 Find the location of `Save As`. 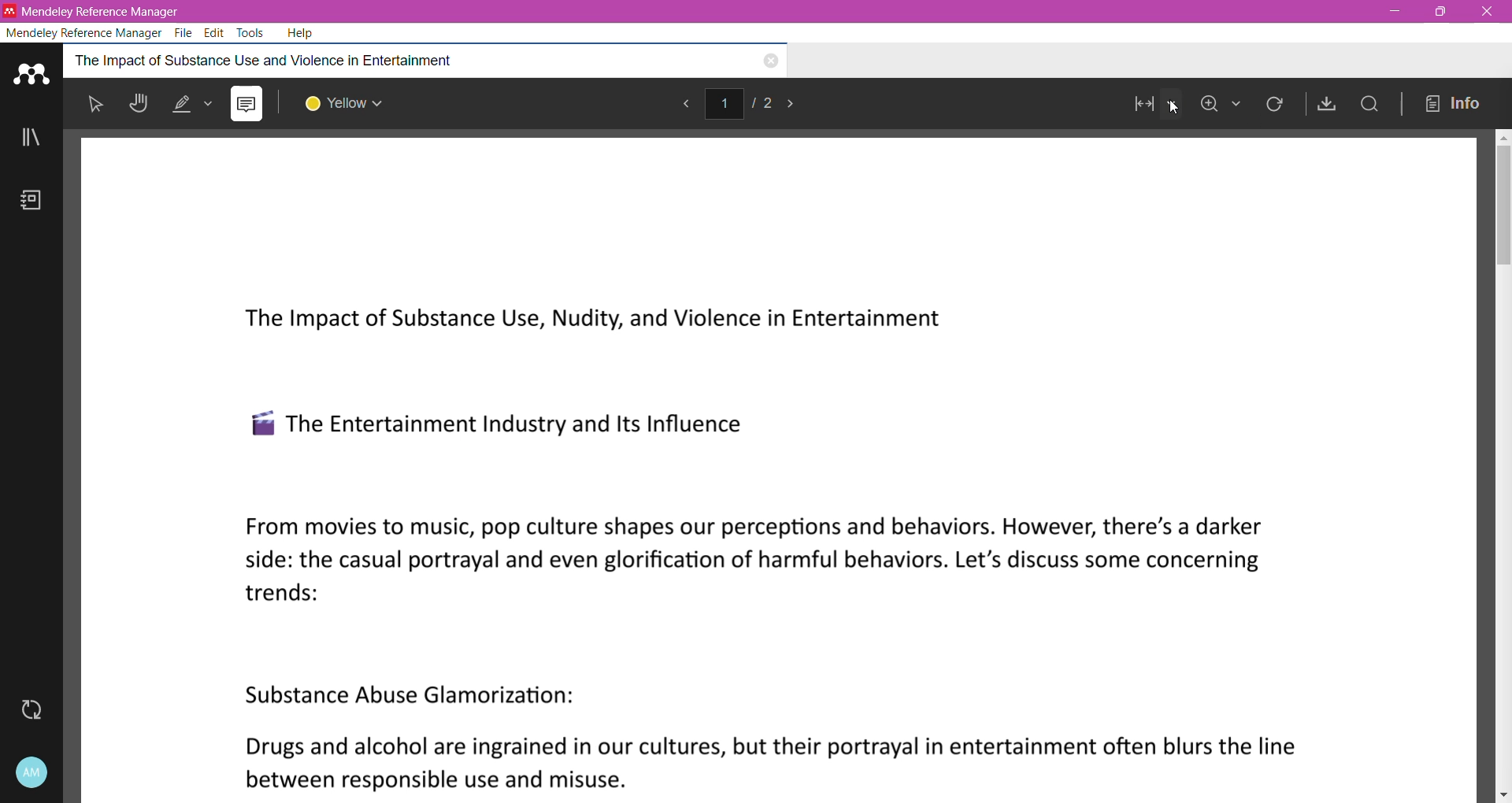

Save As is located at coordinates (1324, 103).